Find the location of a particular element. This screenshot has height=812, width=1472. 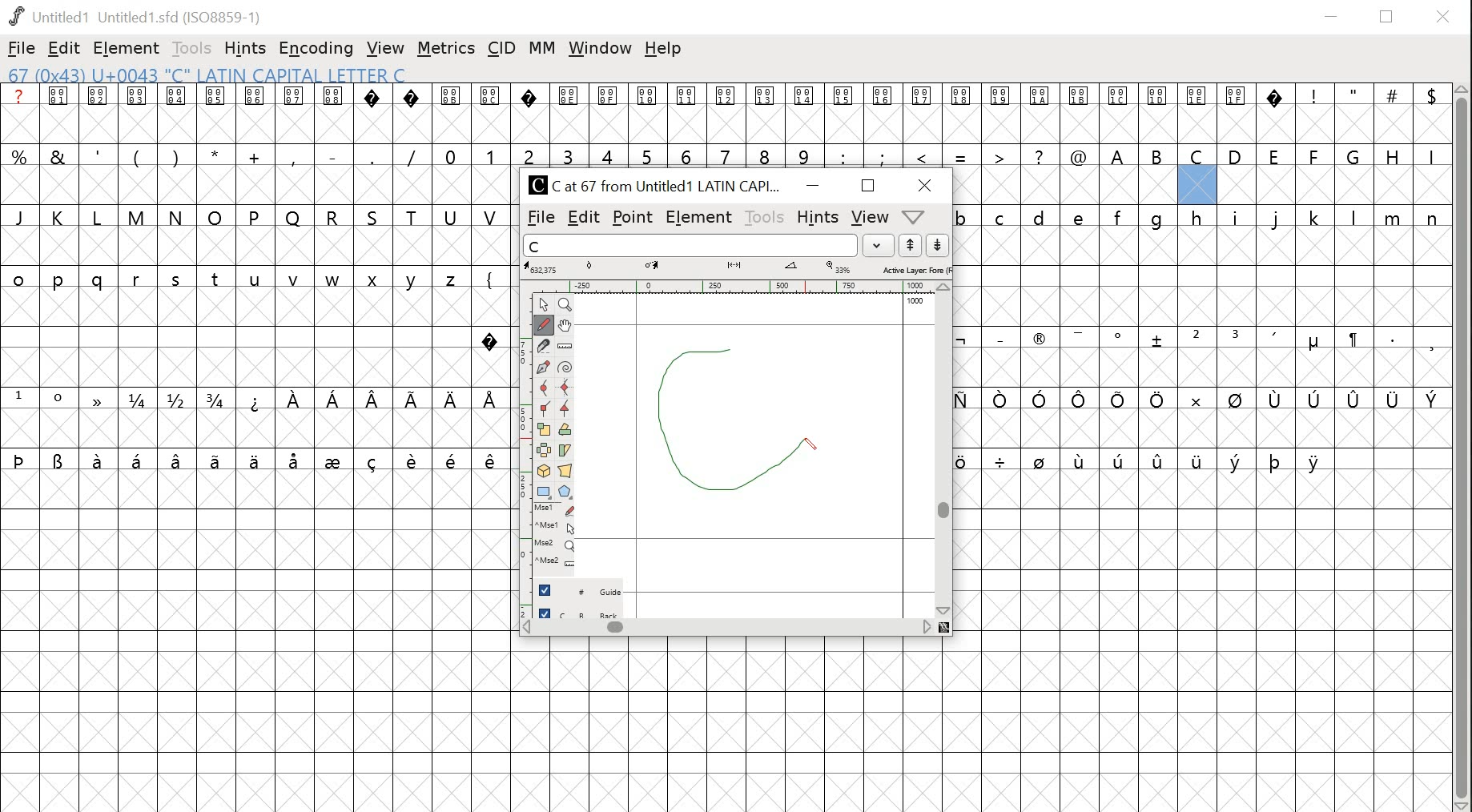

mm is located at coordinates (540, 50).